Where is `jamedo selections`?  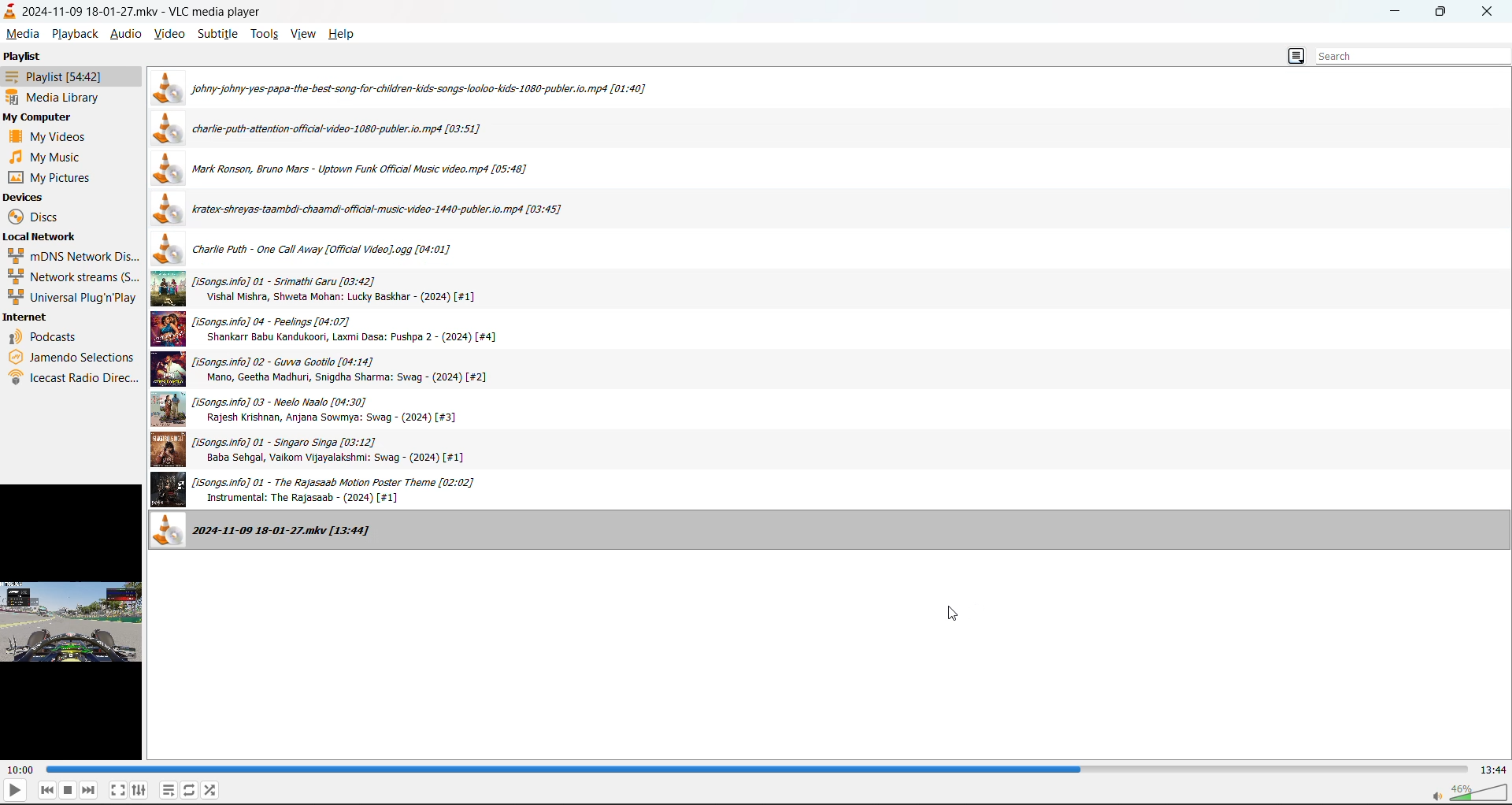 jamedo selections is located at coordinates (72, 357).